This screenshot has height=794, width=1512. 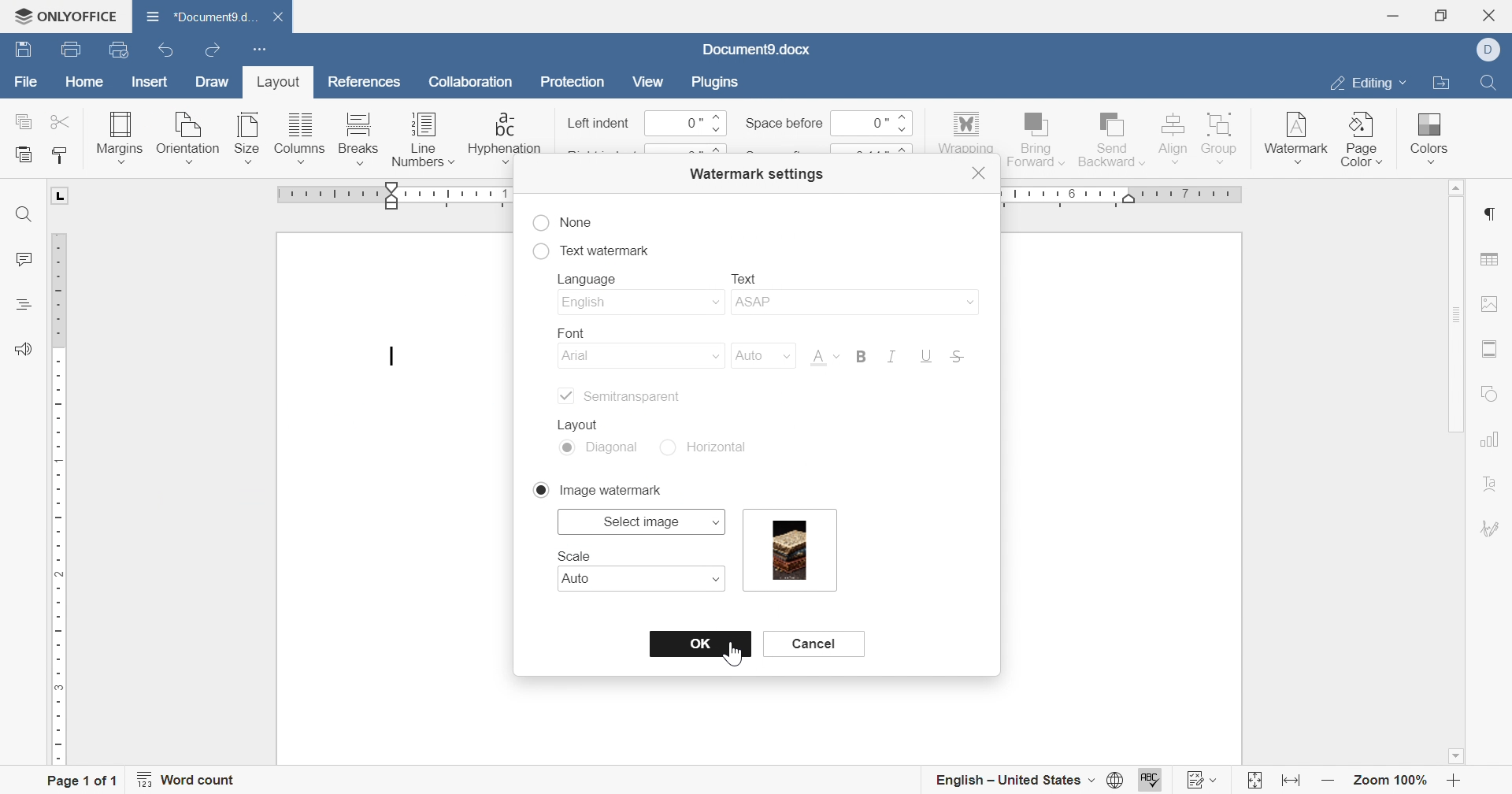 What do you see at coordinates (754, 173) in the screenshot?
I see `watermark settings` at bounding box center [754, 173].